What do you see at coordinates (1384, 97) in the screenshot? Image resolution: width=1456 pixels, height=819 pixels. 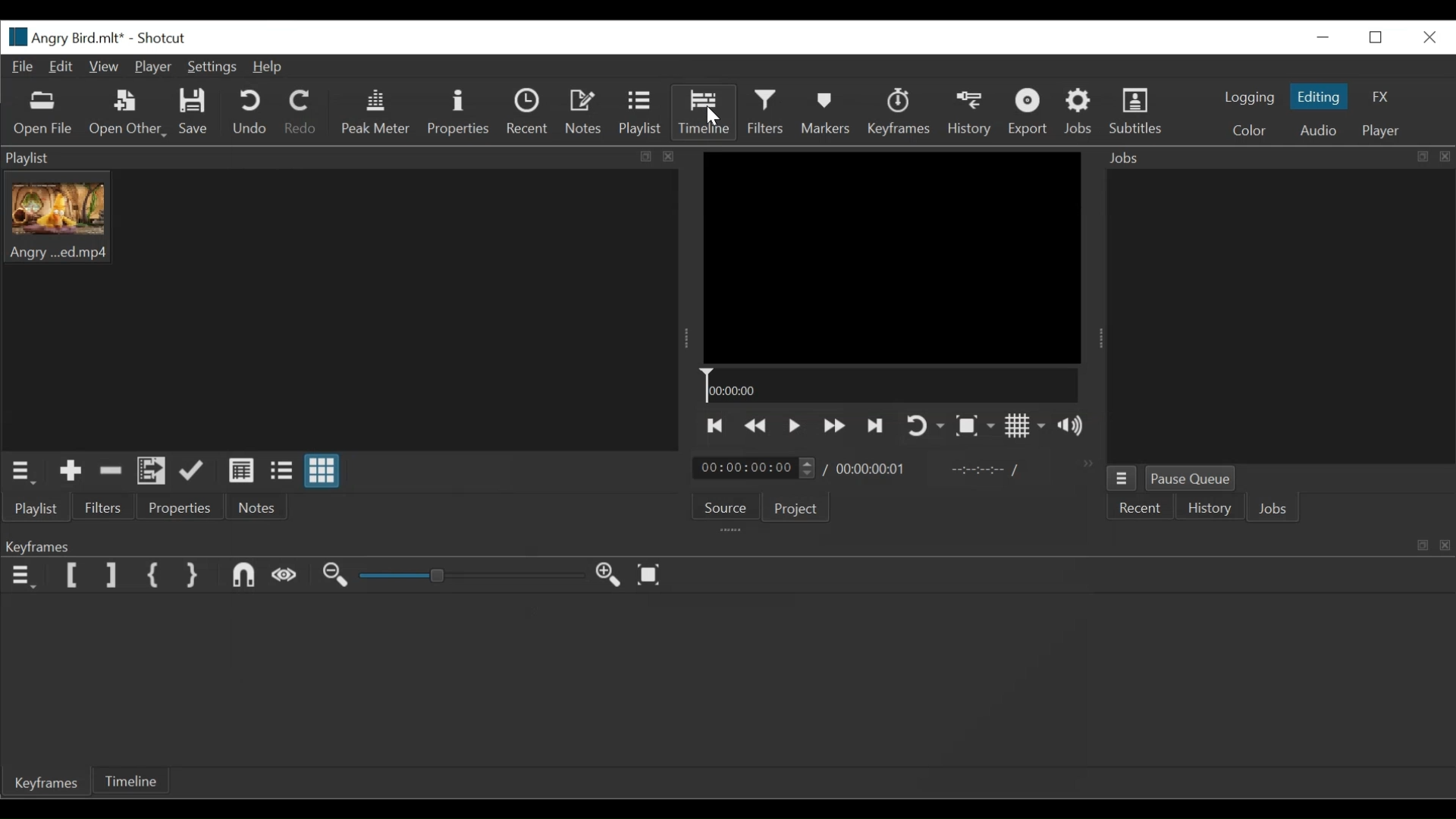 I see `FX` at bounding box center [1384, 97].